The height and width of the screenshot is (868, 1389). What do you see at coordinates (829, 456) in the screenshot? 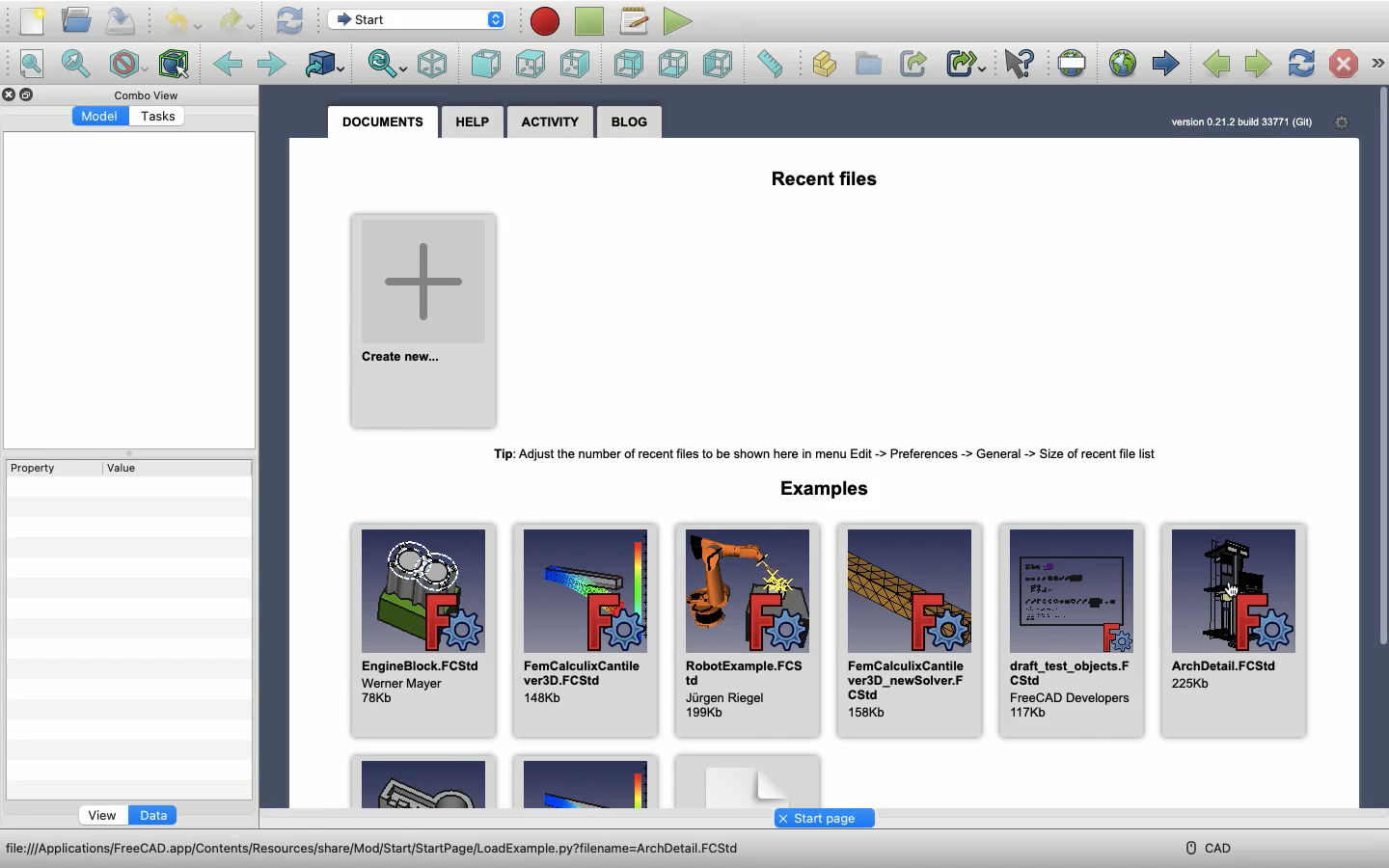
I see `Tip` at bounding box center [829, 456].